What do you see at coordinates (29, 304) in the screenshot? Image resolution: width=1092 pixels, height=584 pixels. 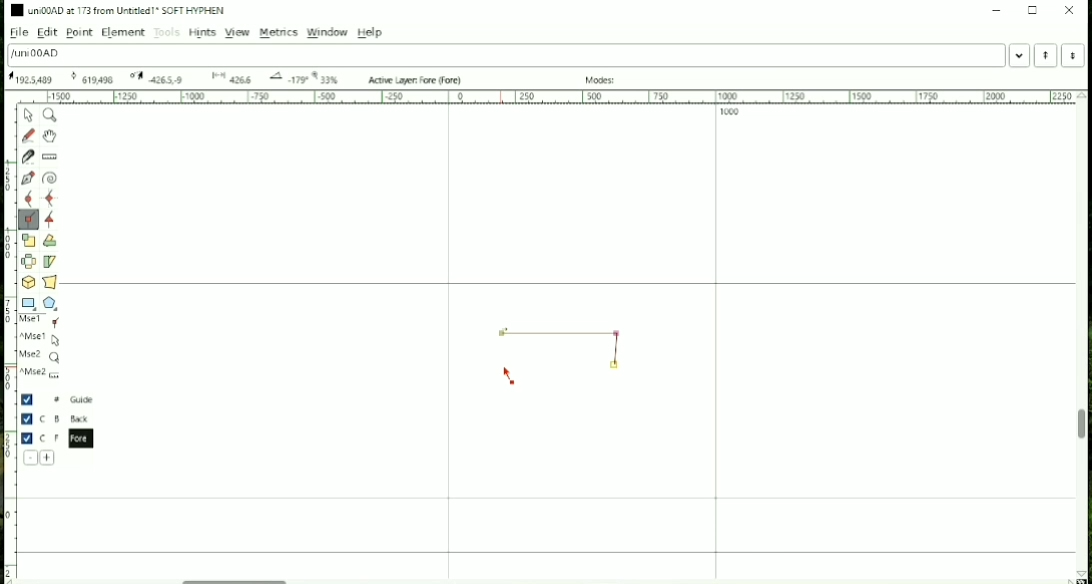 I see `Rectangle or Ellipse` at bounding box center [29, 304].